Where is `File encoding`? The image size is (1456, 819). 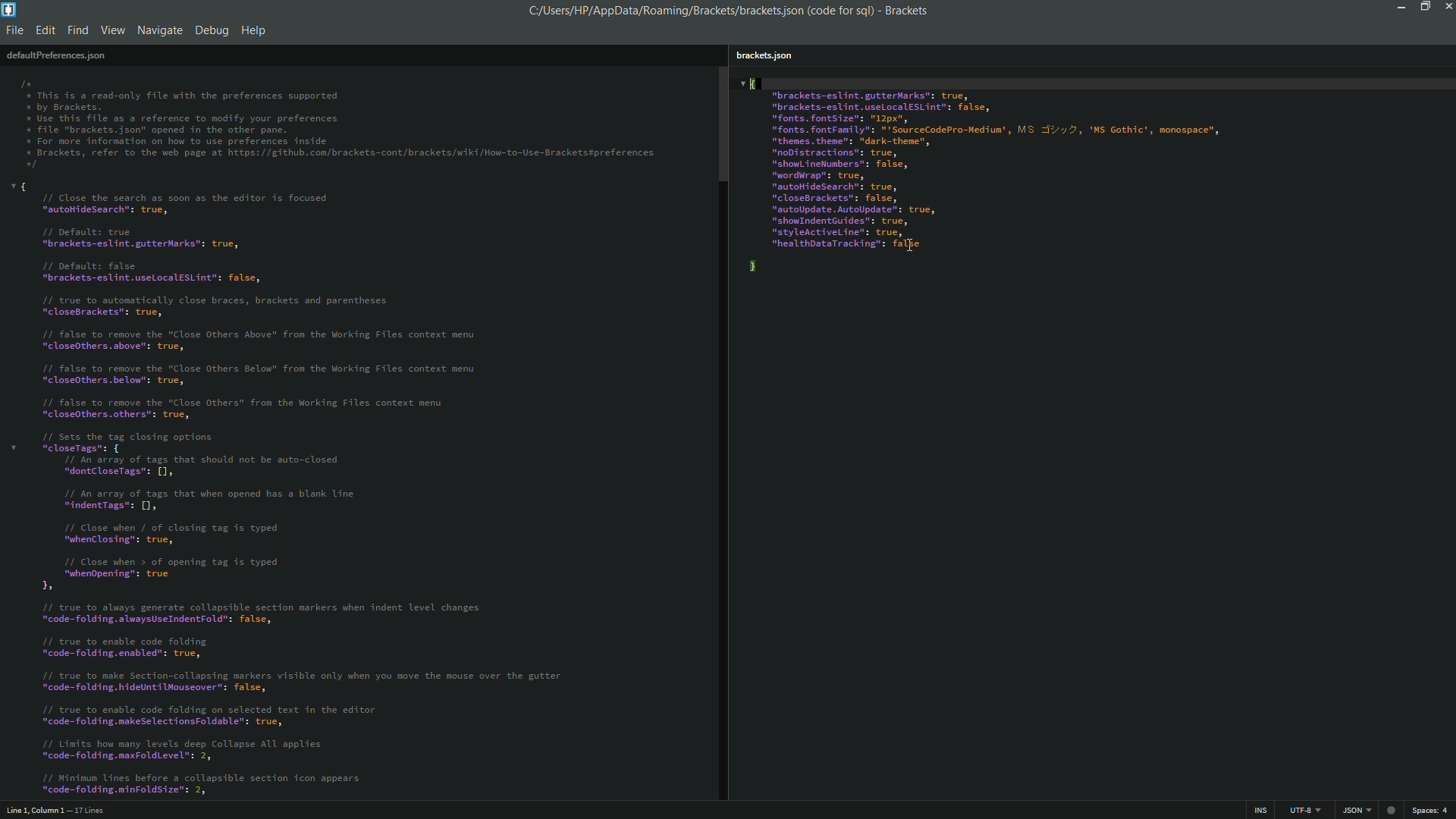 File encoding is located at coordinates (1302, 811).